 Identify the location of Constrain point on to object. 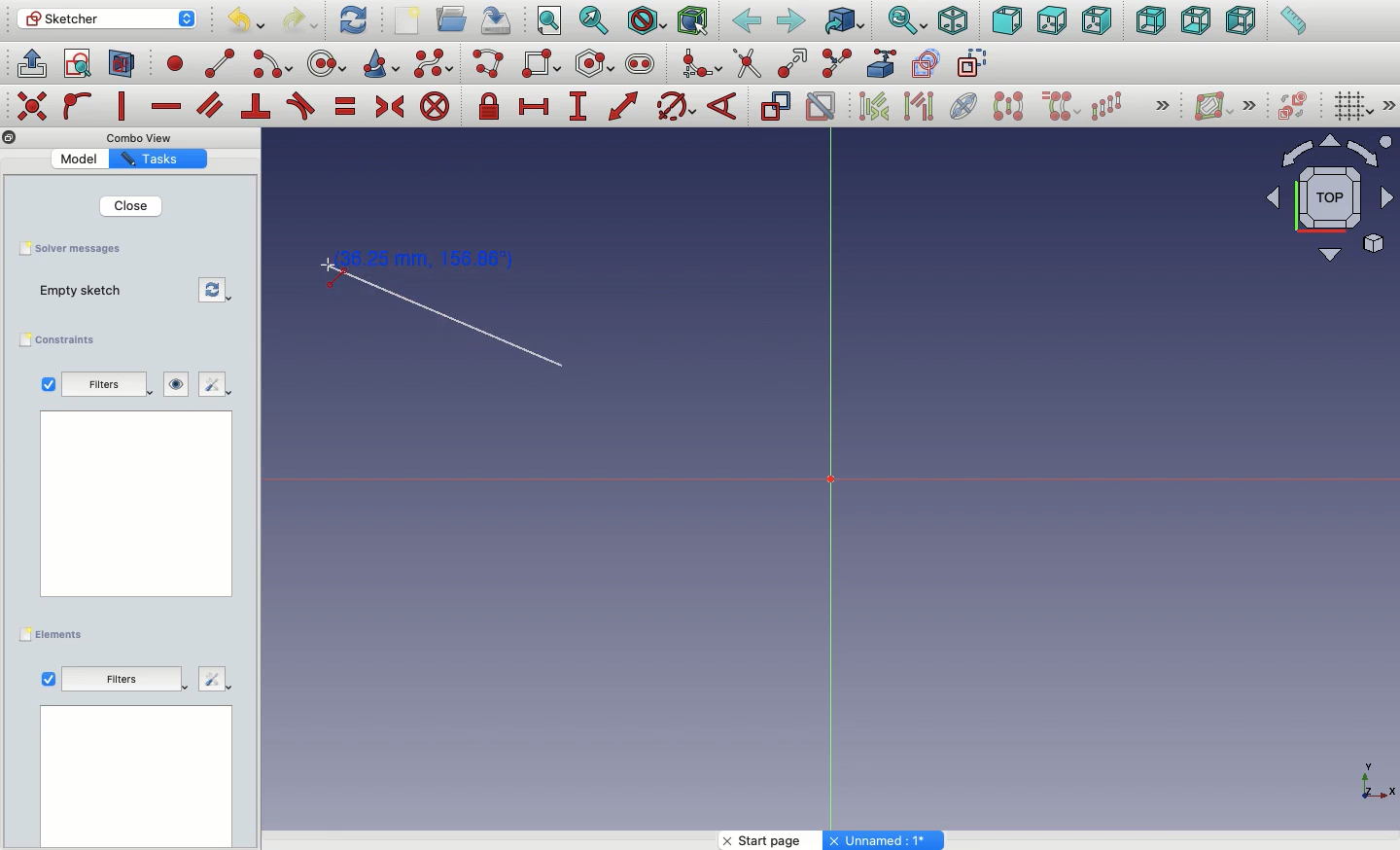
(78, 108).